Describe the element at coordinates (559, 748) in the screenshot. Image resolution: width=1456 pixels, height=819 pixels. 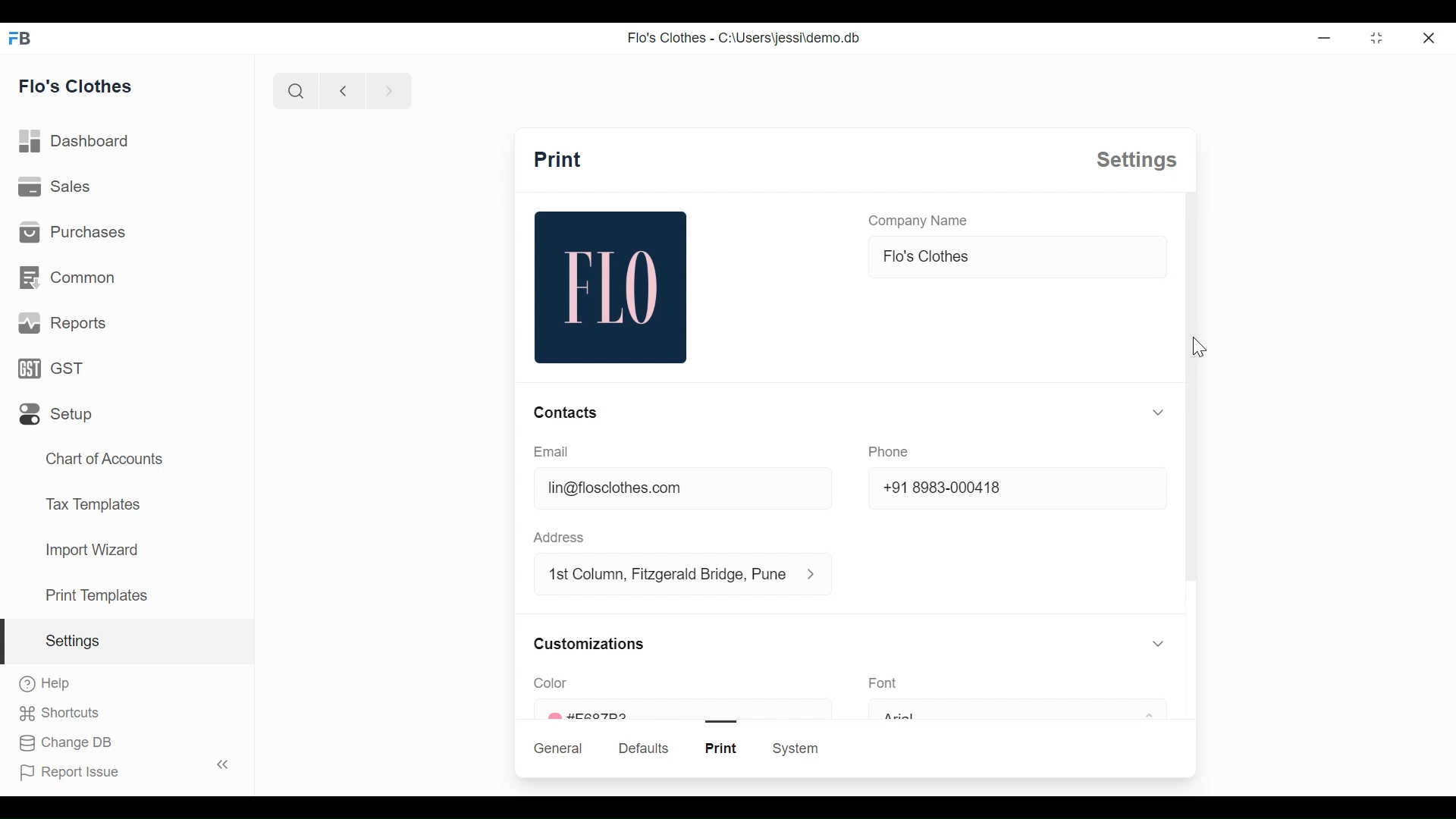
I see `general` at that location.